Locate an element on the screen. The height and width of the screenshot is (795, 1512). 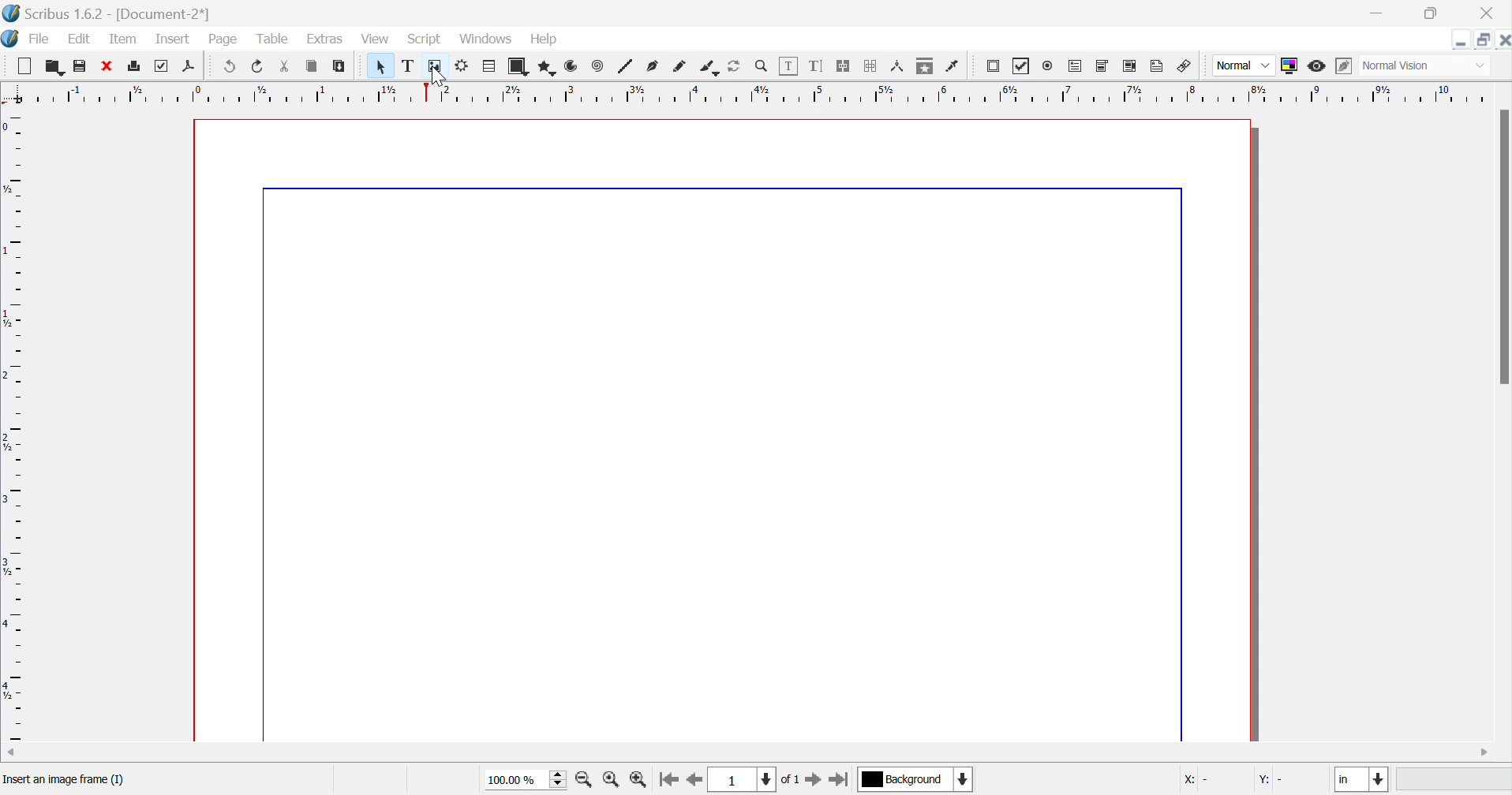
zoom out is located at coordinates (640, 780).